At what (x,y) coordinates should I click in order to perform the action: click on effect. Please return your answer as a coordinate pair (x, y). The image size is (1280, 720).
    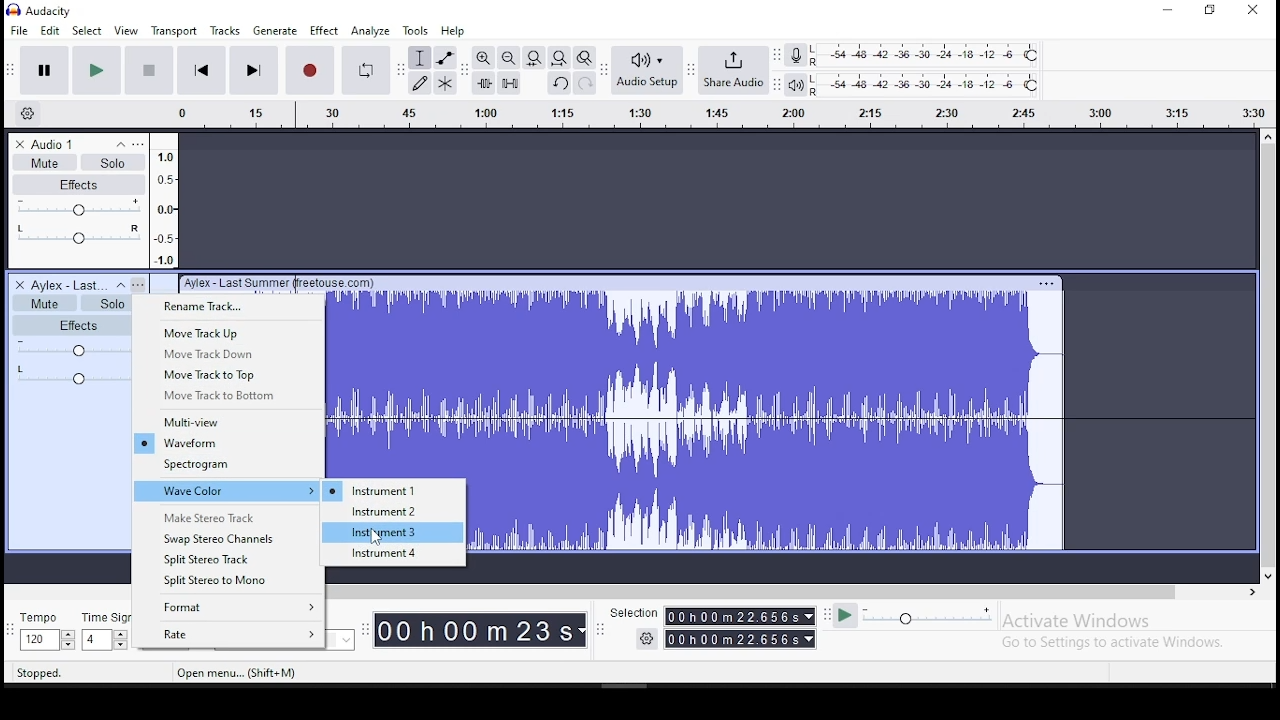
    Looking at the image, I should click on (326, 30).